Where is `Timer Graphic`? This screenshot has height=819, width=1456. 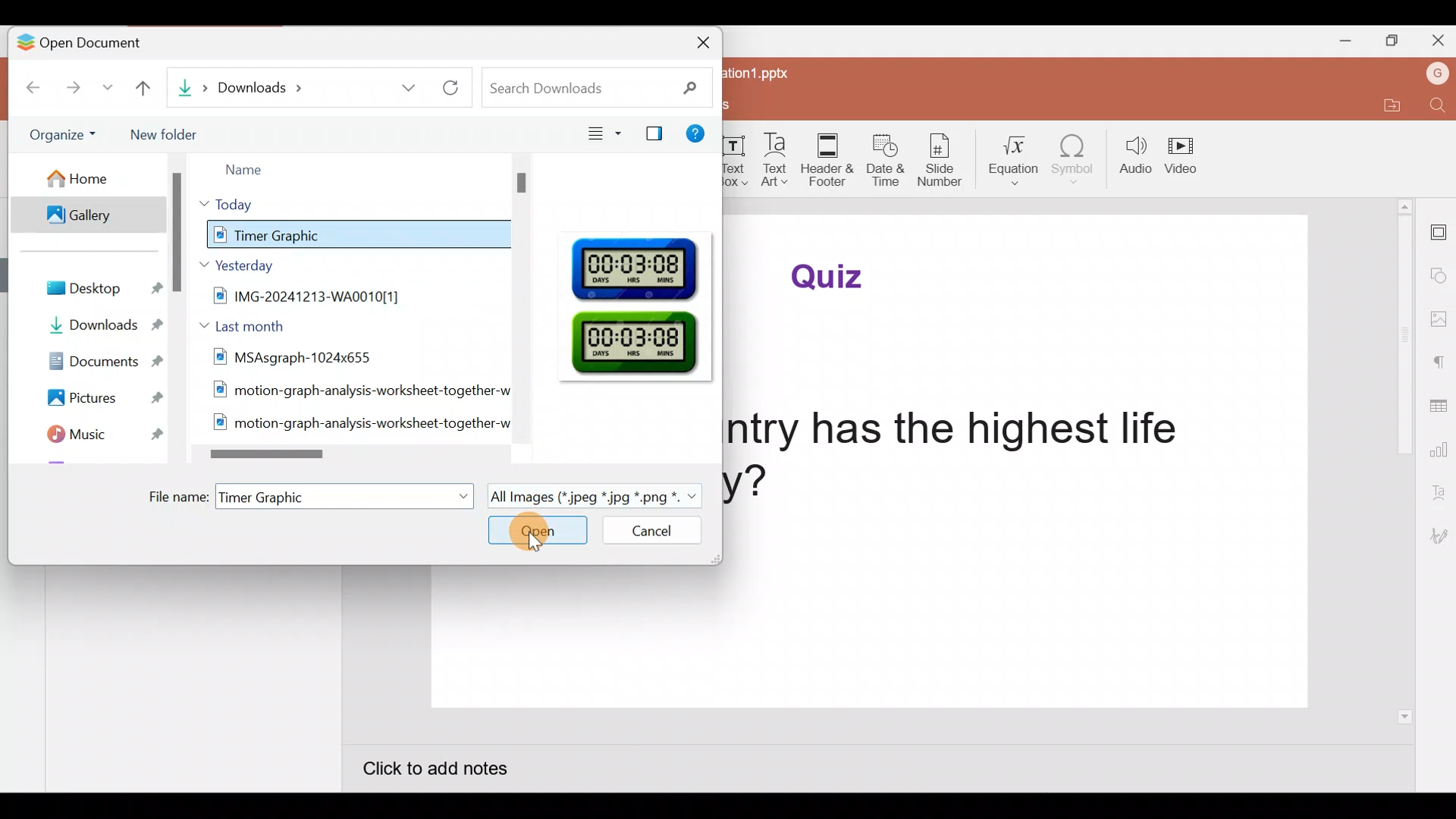 Timer Graphic is located at coordinates (325, 234).